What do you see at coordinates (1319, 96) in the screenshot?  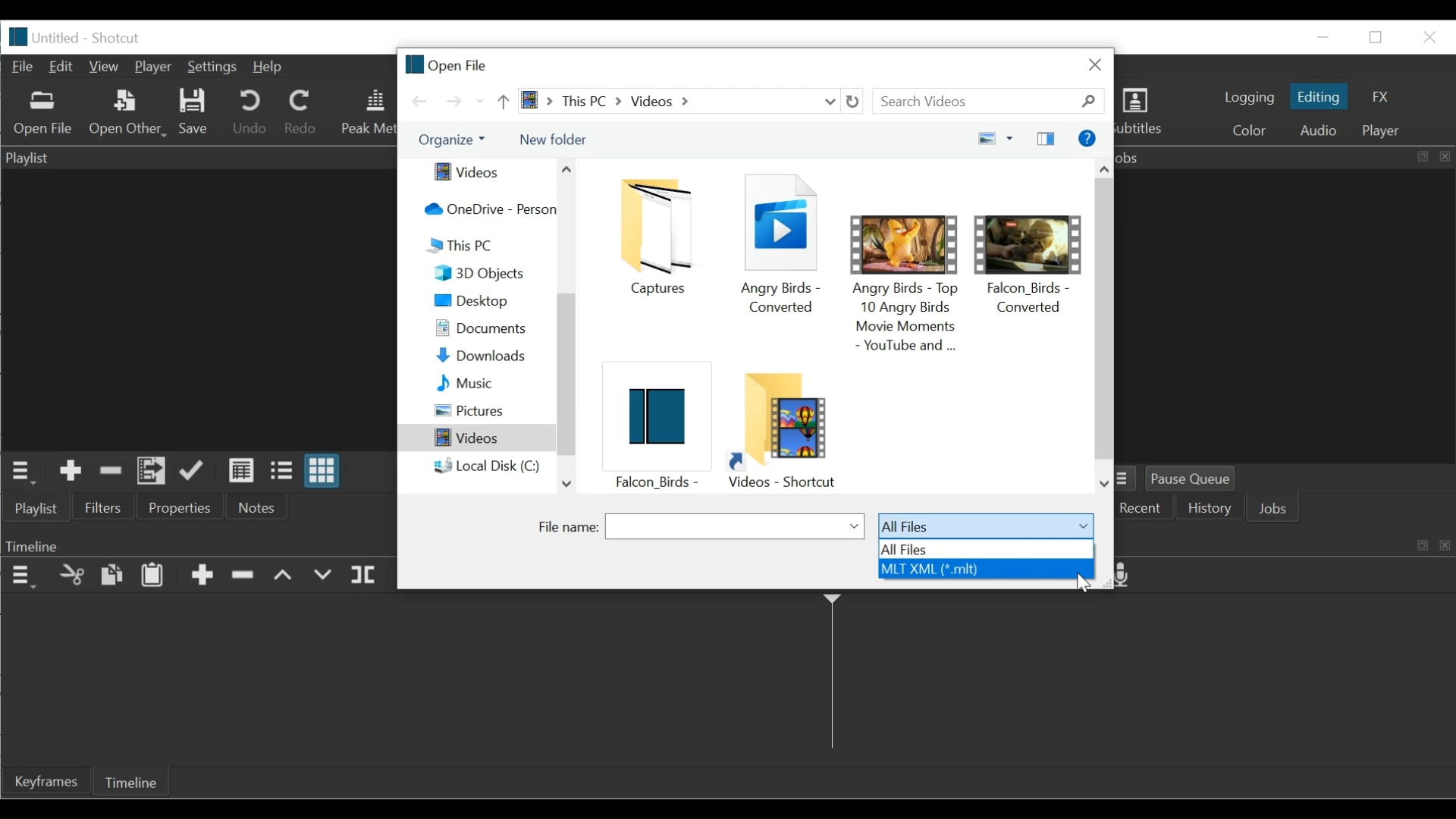 I see `Editing` at bounding box center [1319, 96].